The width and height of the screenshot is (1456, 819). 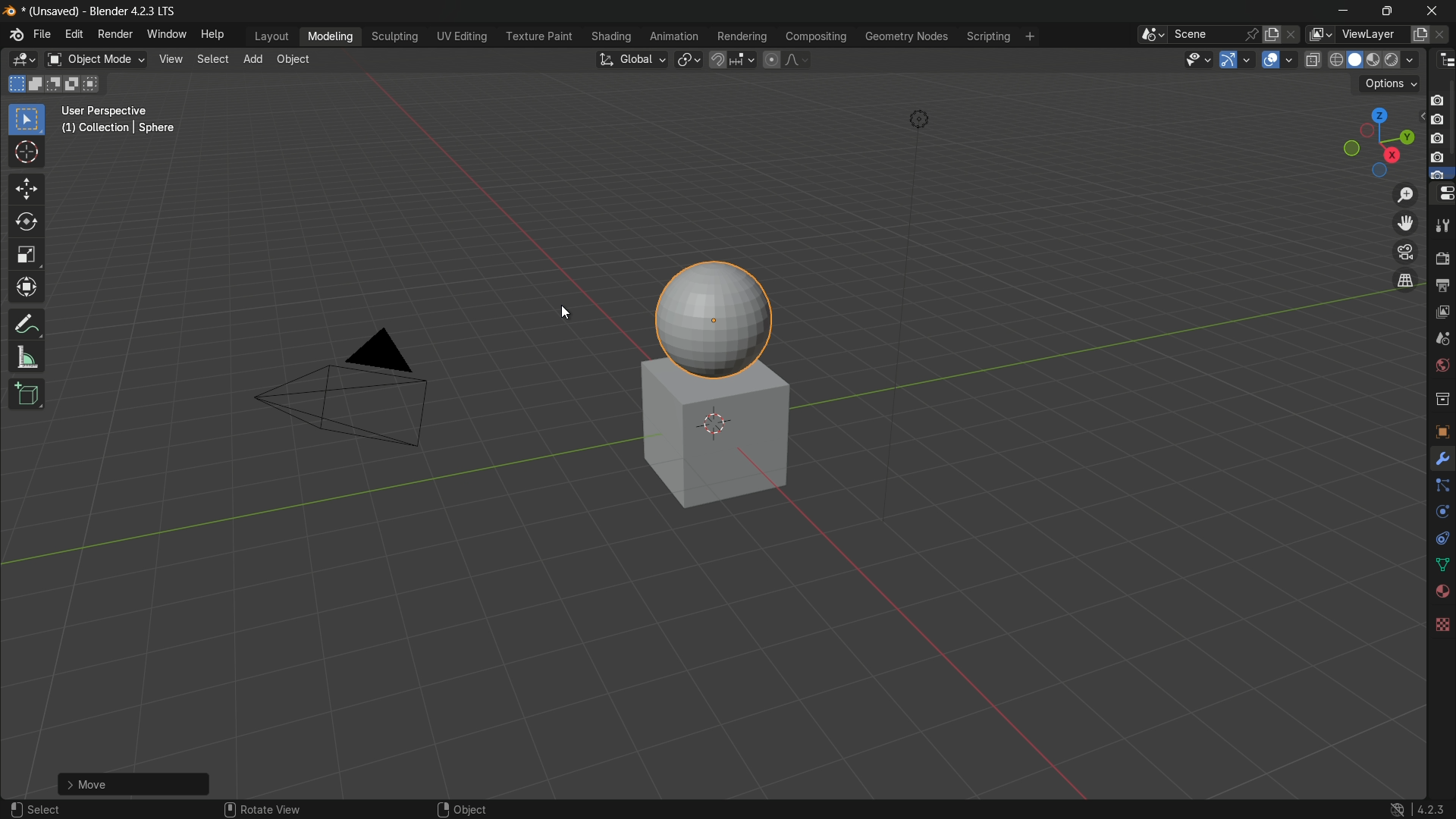 What do you see at coordinates (1439, 486) in the screenshot?
I see `Constraints Tab` at bounding box center [1439, 486].